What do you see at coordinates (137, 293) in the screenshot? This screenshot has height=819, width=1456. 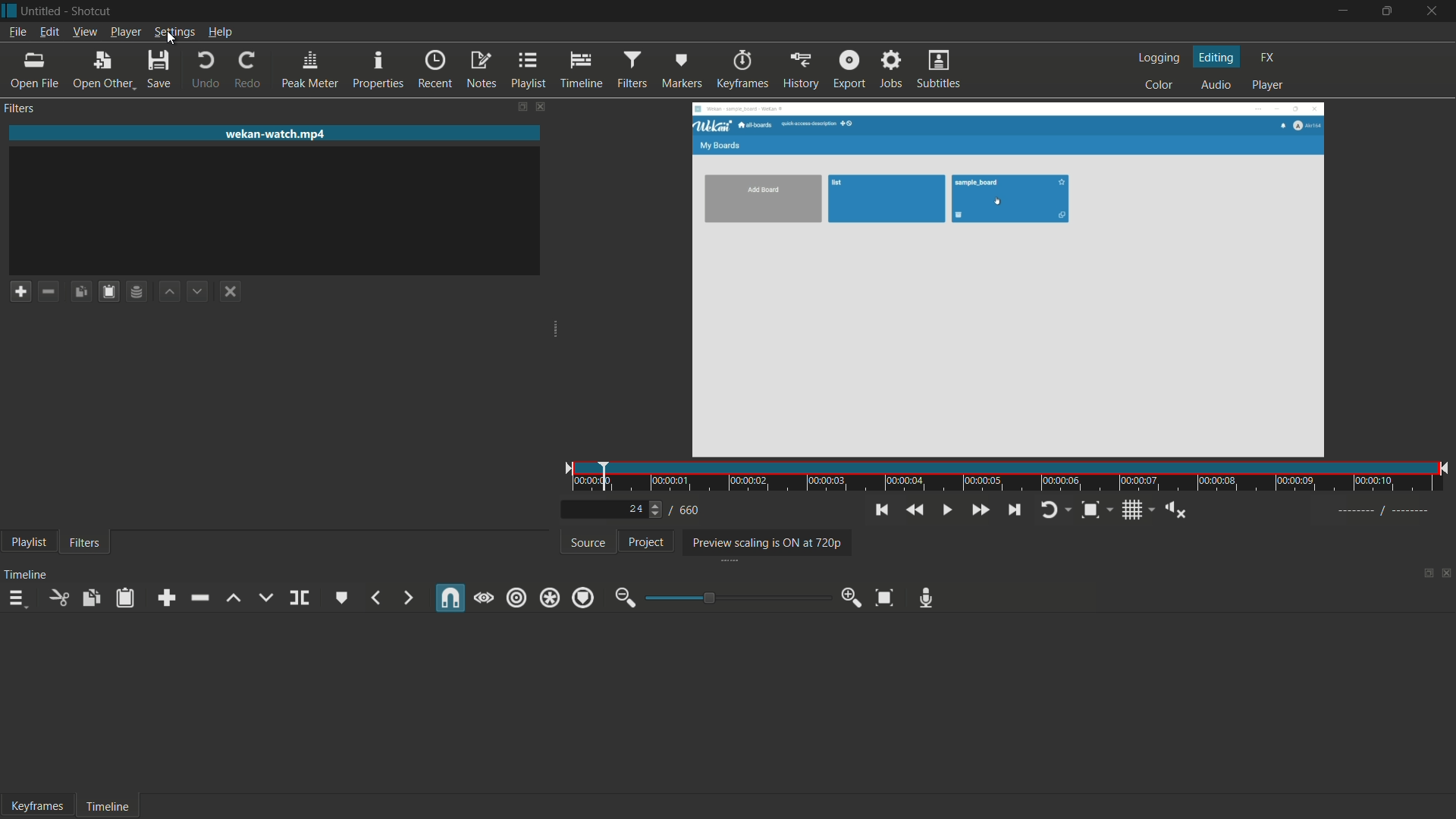 I see `save filter set` at bounding box center [137, 293].